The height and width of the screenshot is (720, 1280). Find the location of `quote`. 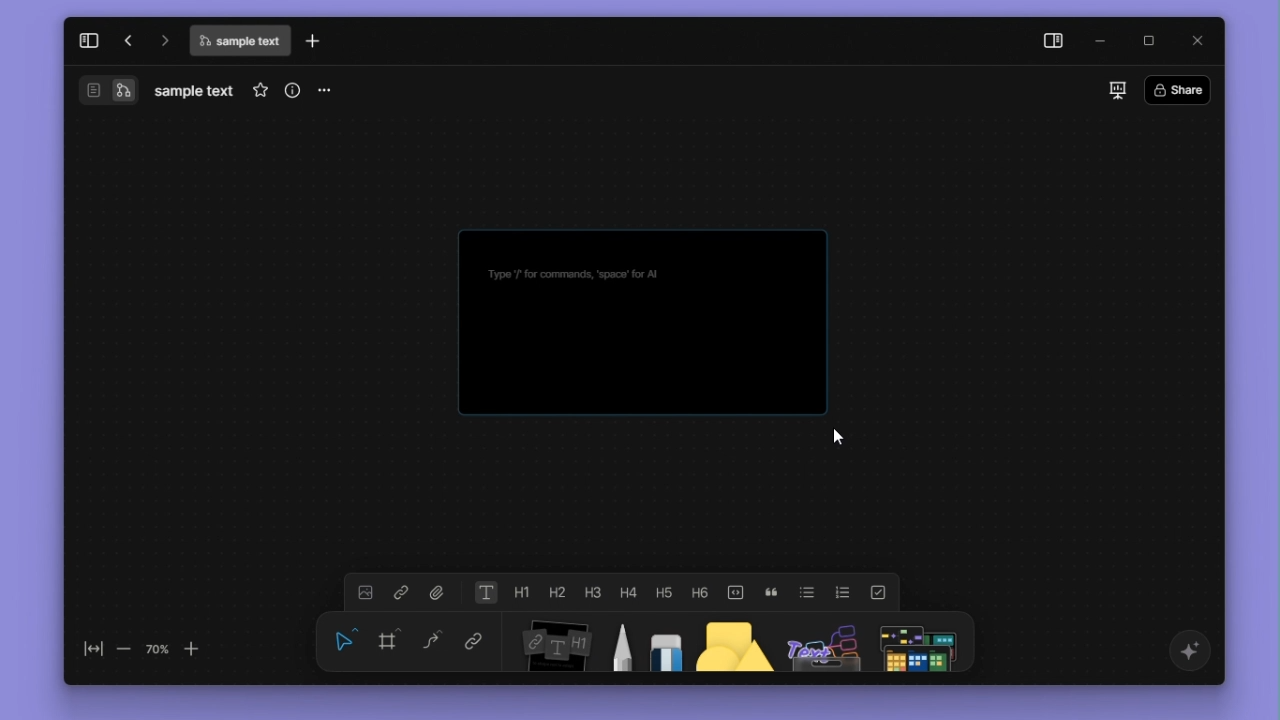

quote is located at coordinates (773, 591).